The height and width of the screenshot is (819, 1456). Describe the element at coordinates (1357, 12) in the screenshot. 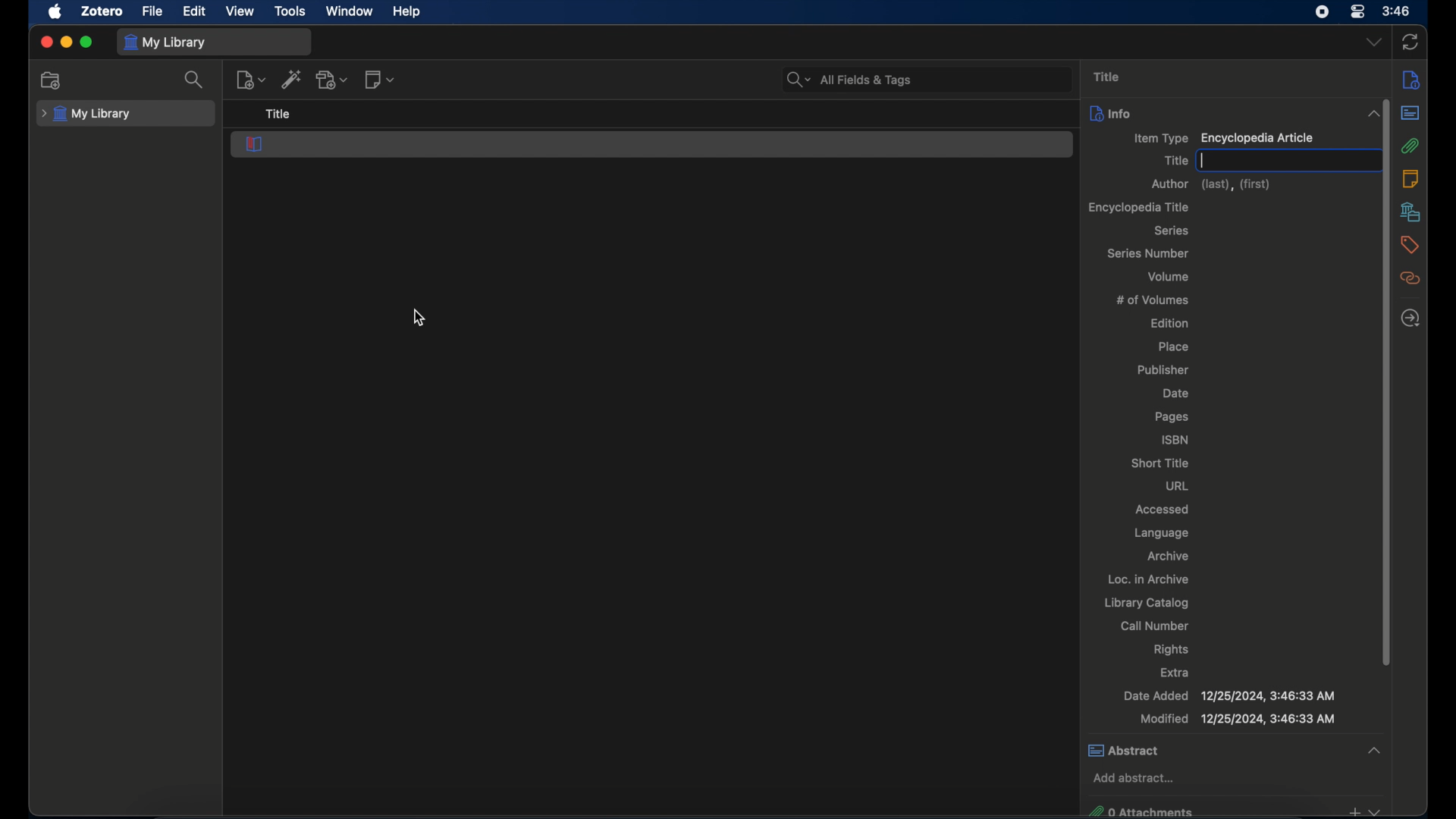

I see `control center` at that location.